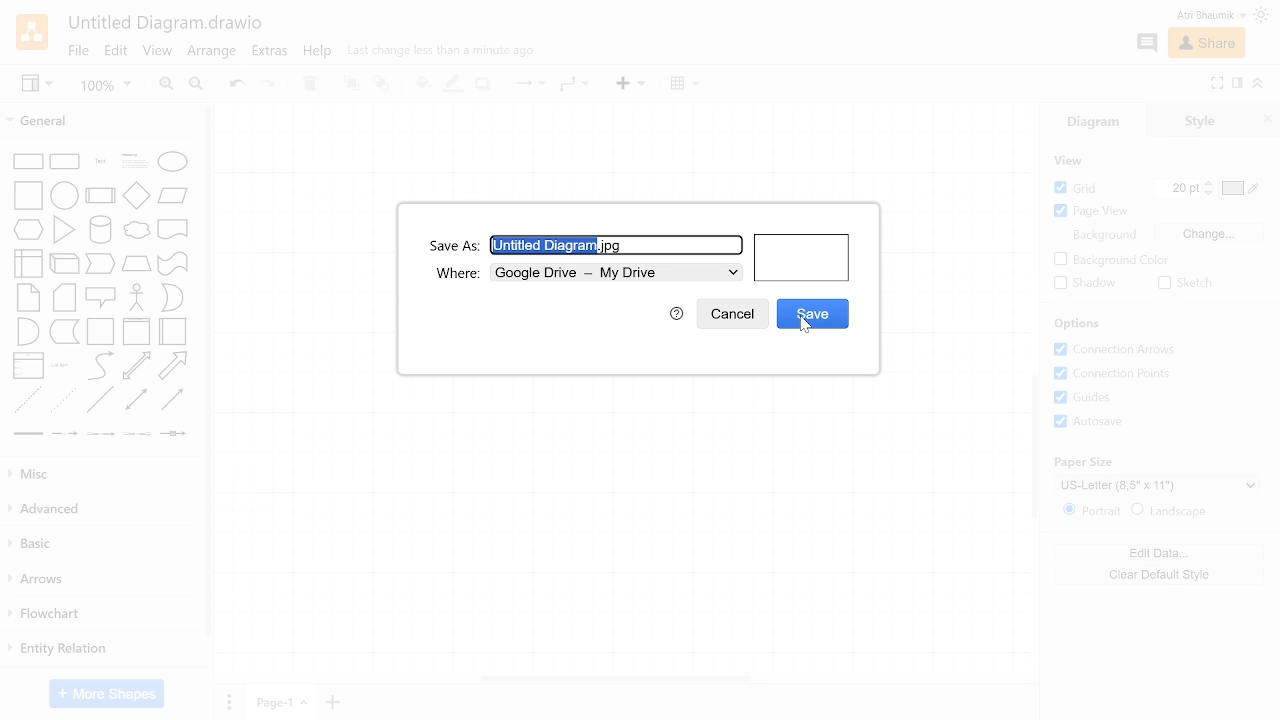  I want to click on TO front, so click(352, 85).